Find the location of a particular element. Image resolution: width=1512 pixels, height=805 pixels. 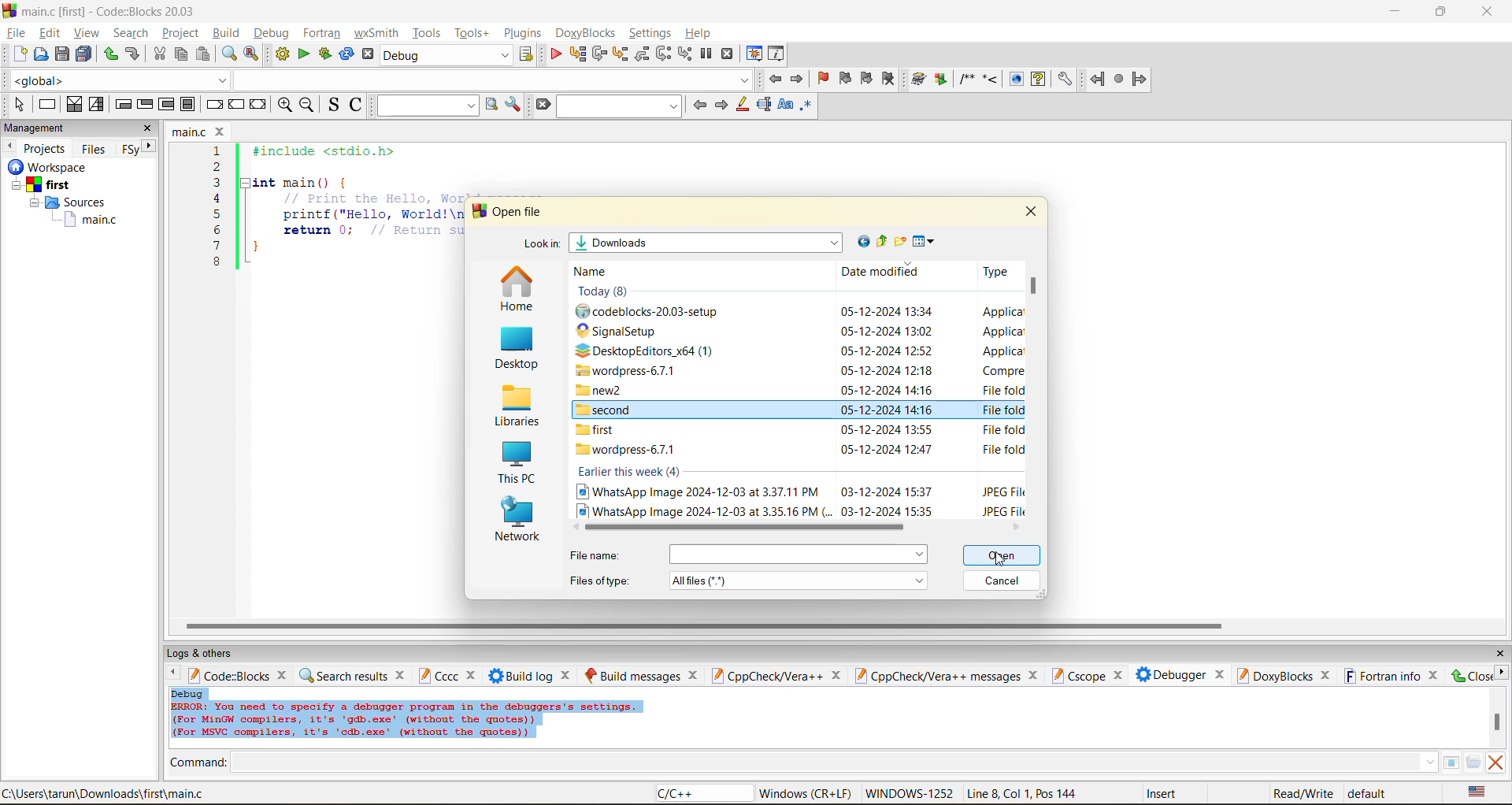

7 is located at coordinates (217, 246).